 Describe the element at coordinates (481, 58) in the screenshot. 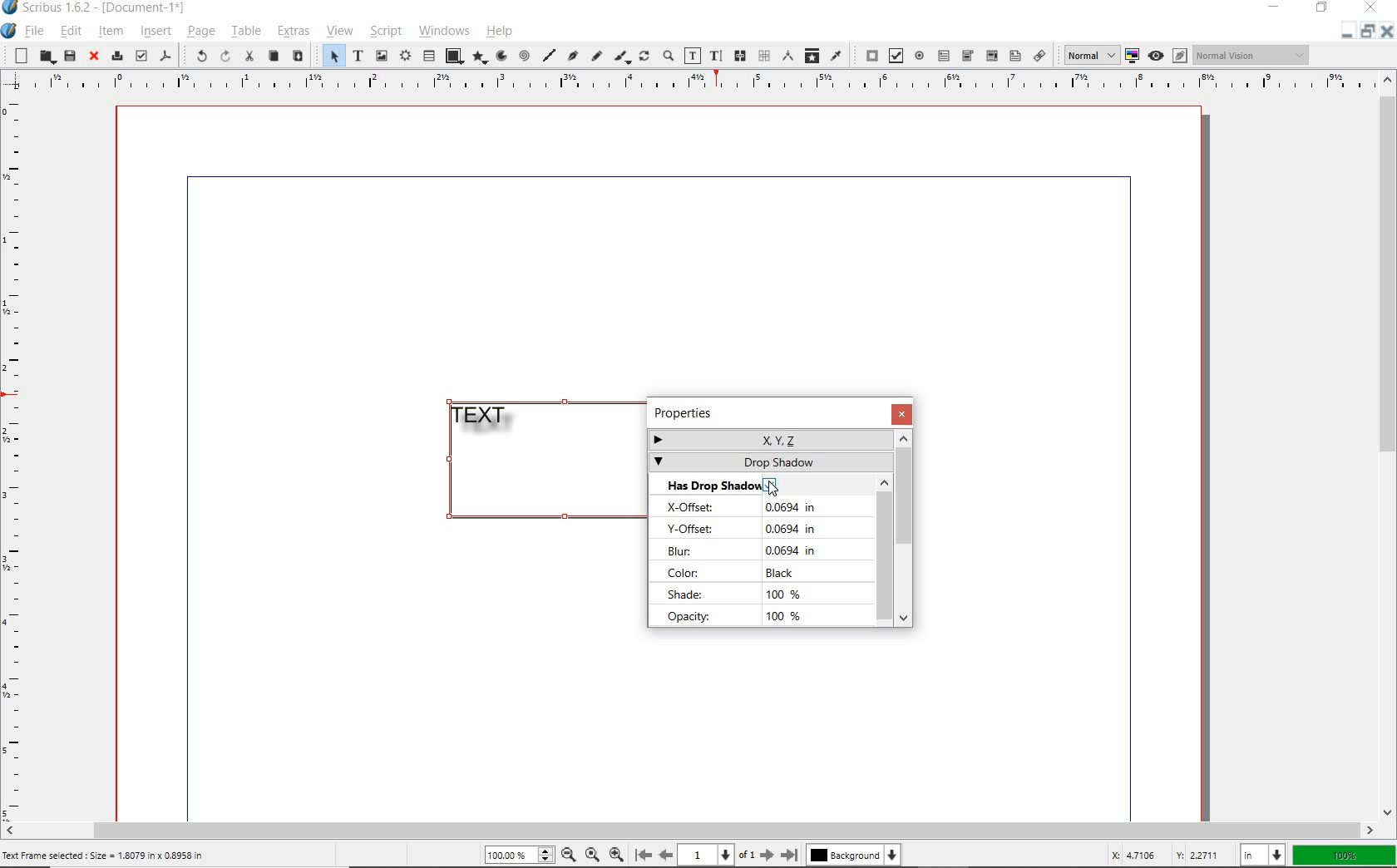

I see `polygon` at that location.